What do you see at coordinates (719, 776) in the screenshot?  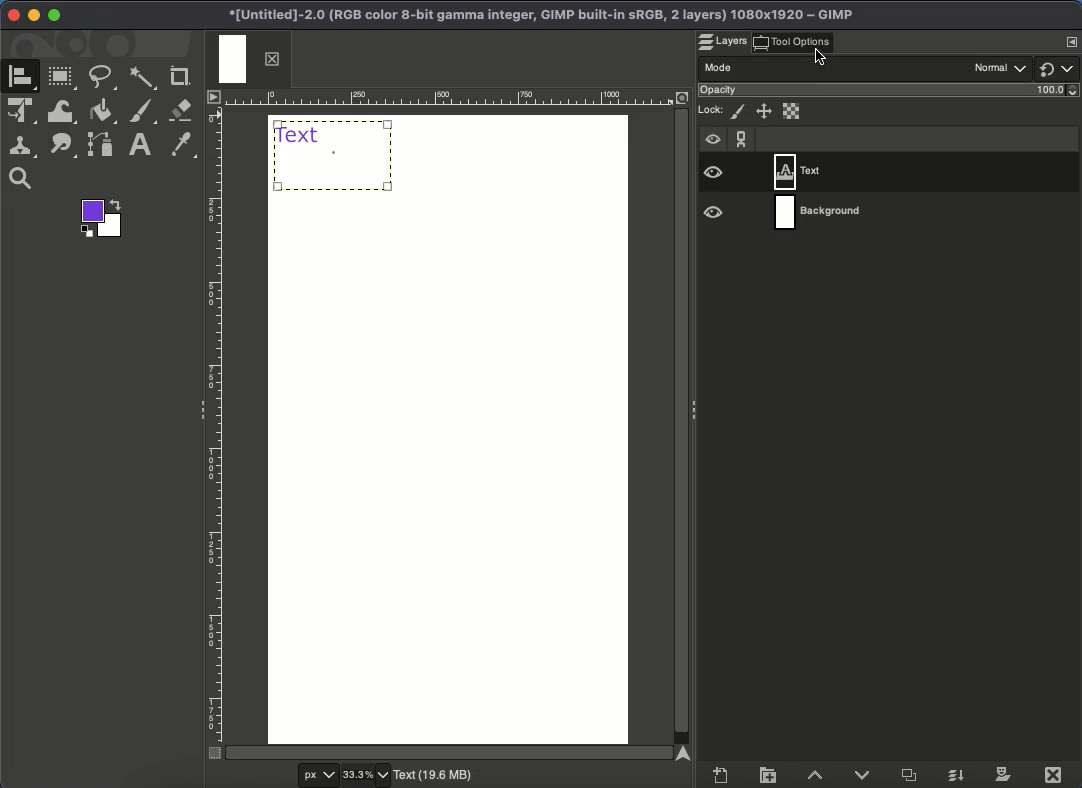 I see `Create new layer` at bounding box center [719, 776].